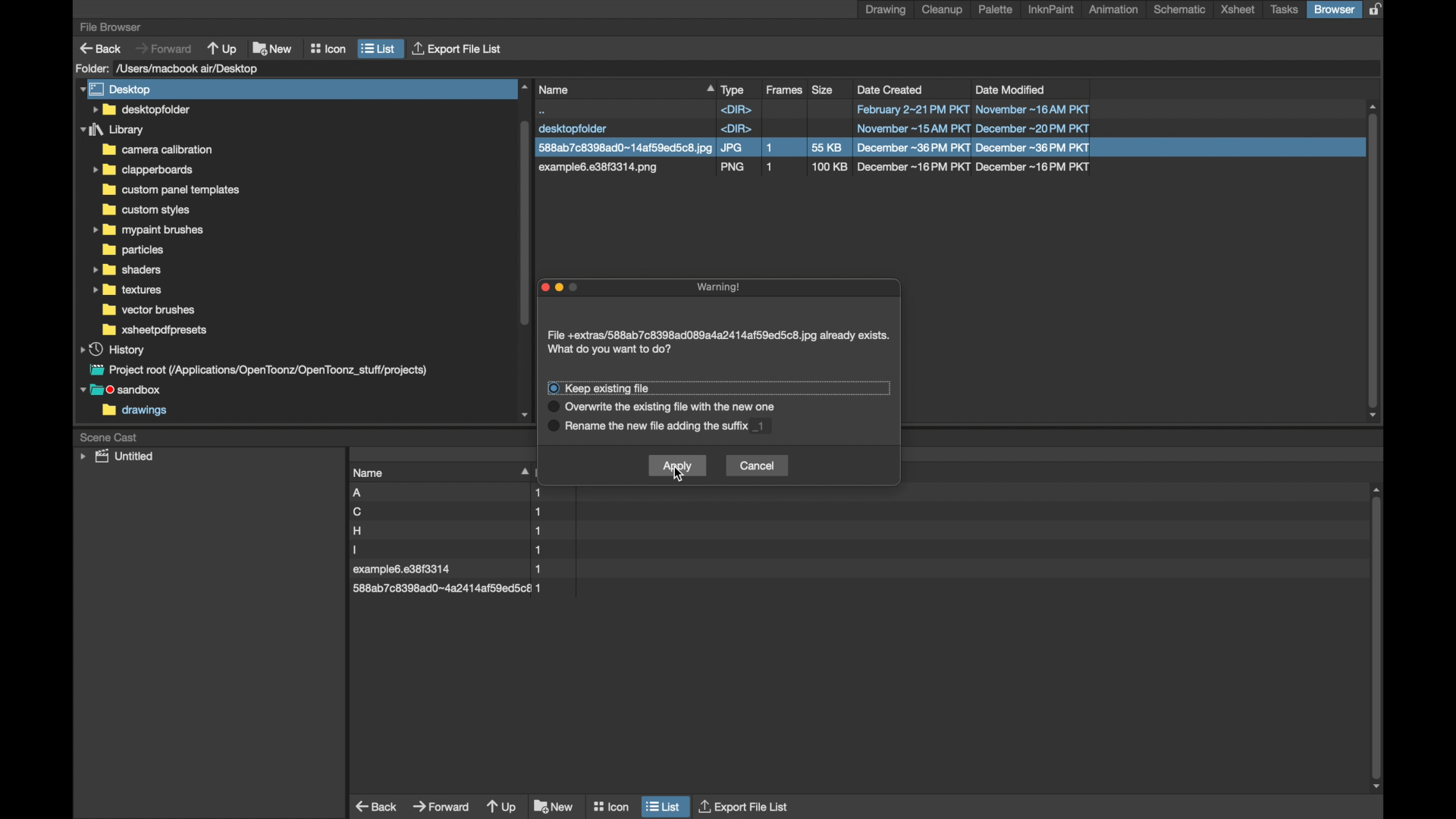 The image size is (1456, 819). I want to click on radio button, so click(552, 413).